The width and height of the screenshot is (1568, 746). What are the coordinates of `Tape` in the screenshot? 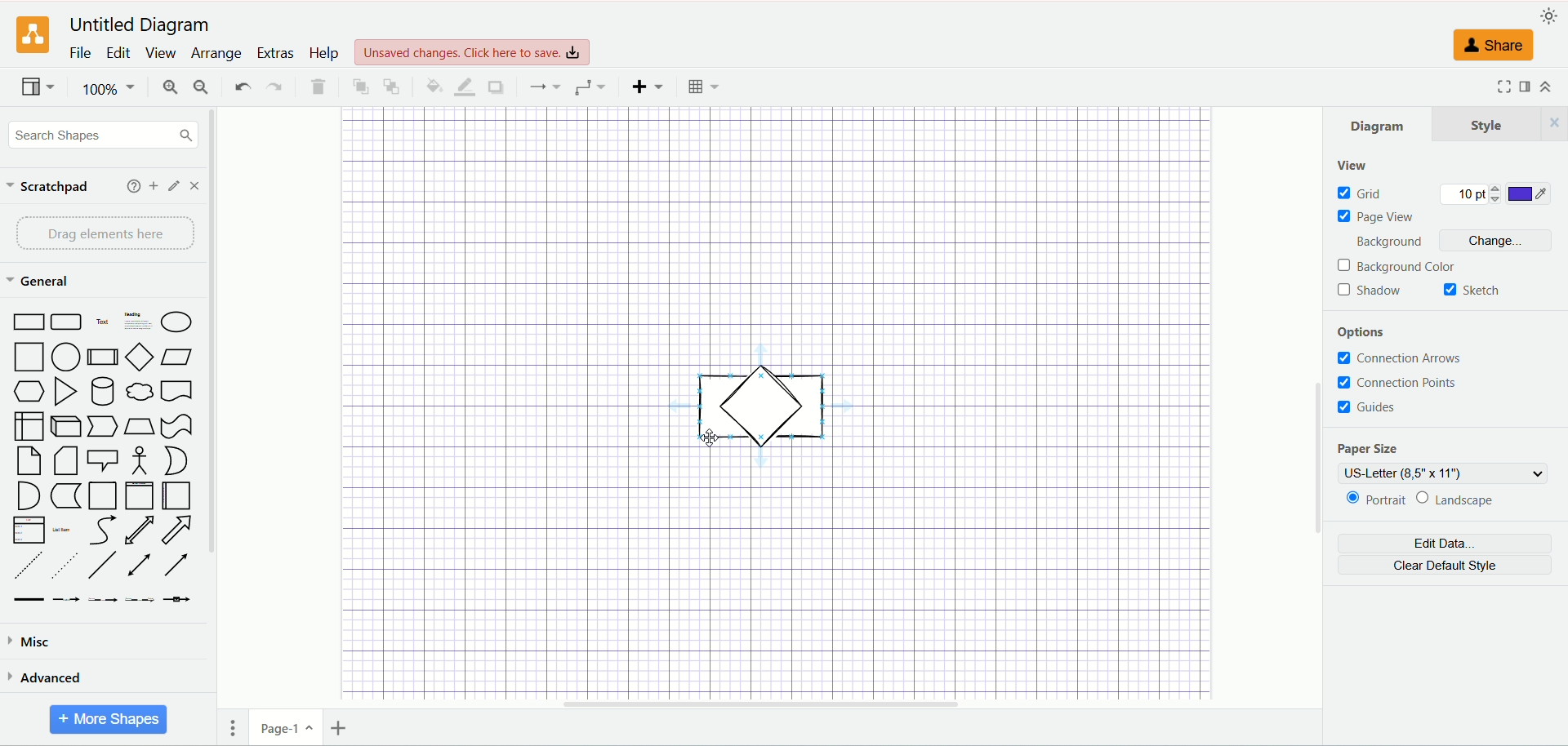 It's located at (178, 426).